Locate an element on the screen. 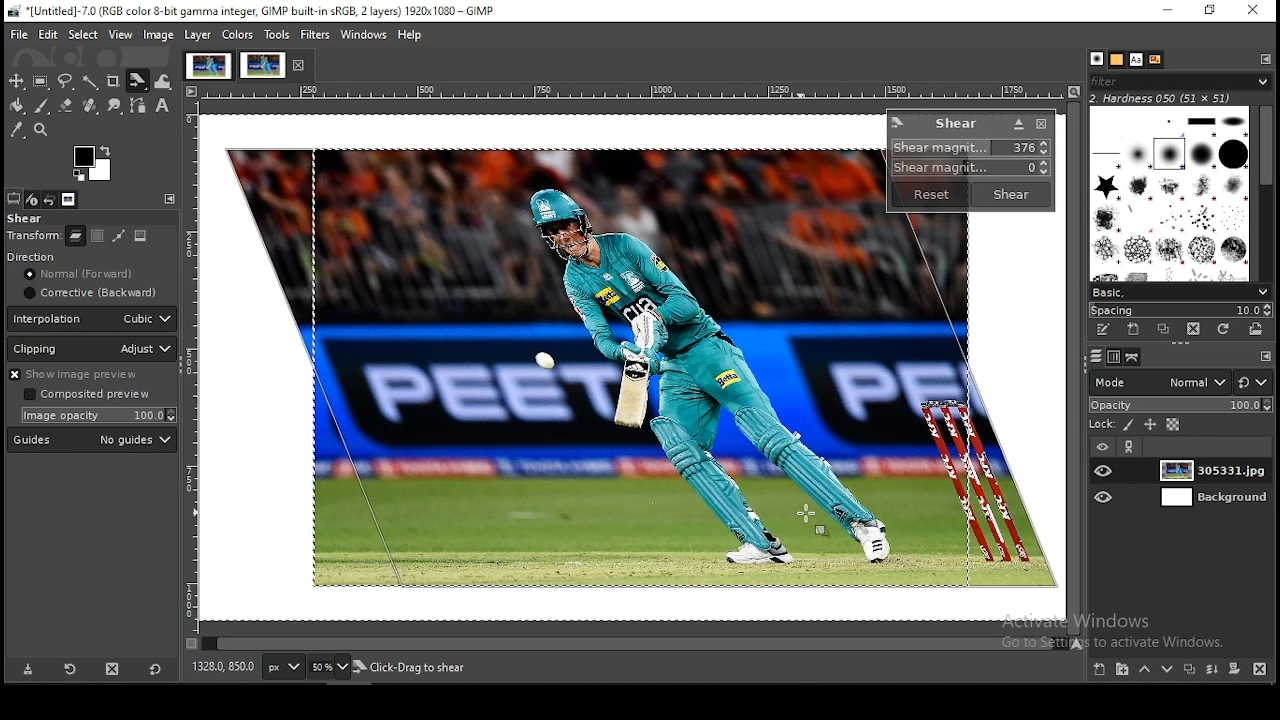 This screenshot has height=720, width=1280. switch between modes is located at coordinates (1255, 383).